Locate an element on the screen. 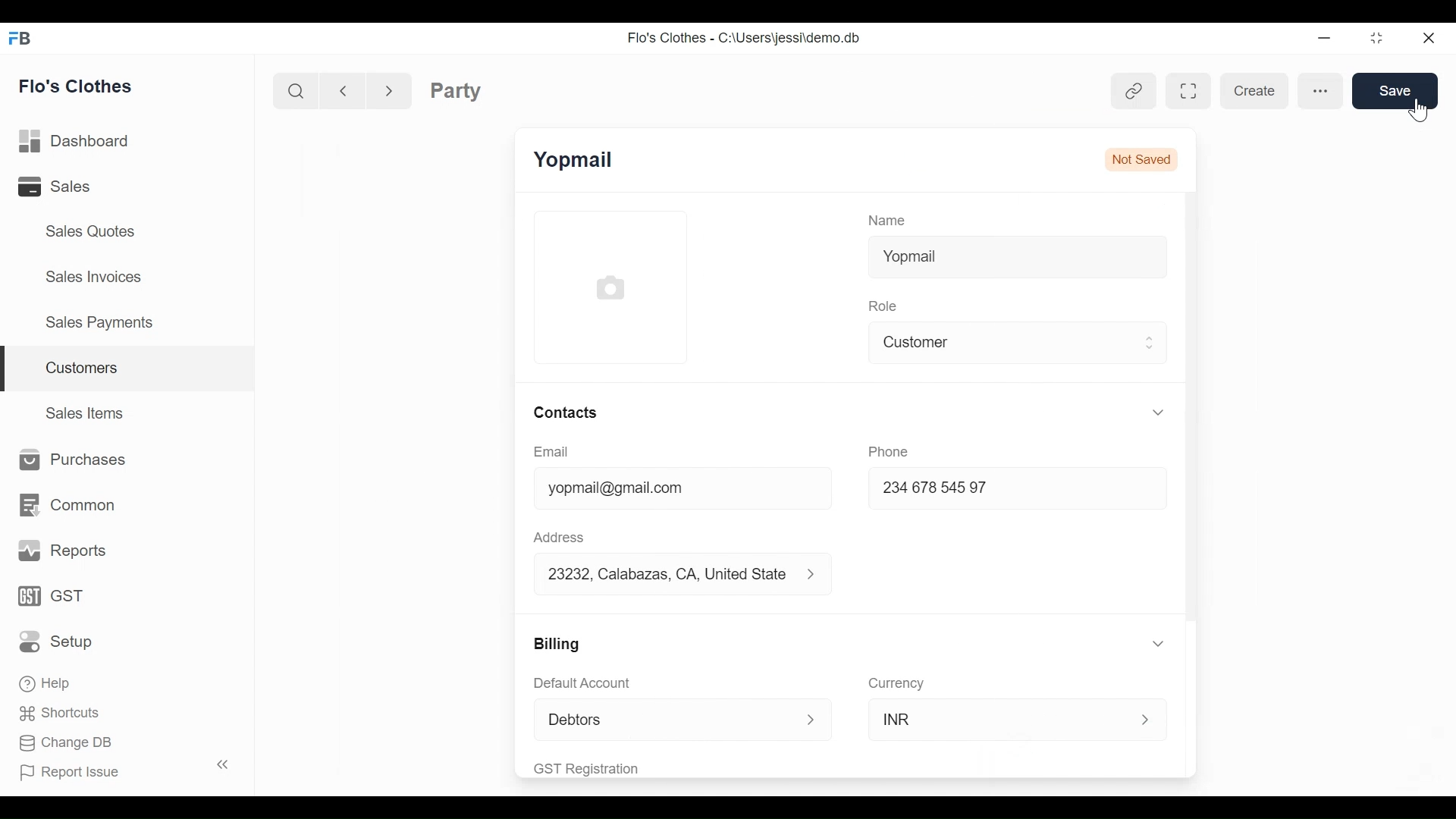 Image resolution: width=1456 pixels, height=819 pixels. INR is located at coordinates (992, 720).